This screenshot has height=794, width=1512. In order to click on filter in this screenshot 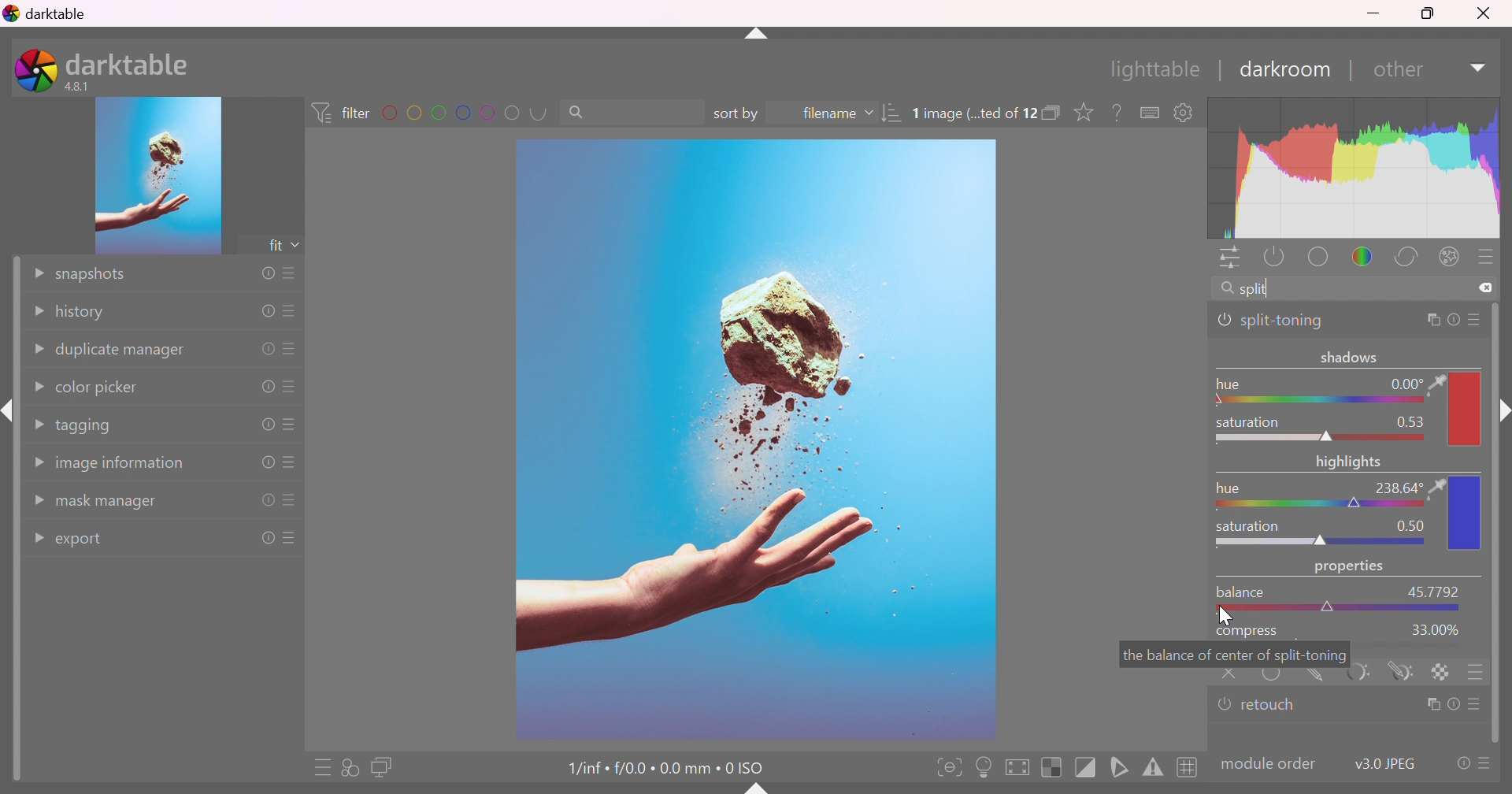, I will do `click(339, 110)`.